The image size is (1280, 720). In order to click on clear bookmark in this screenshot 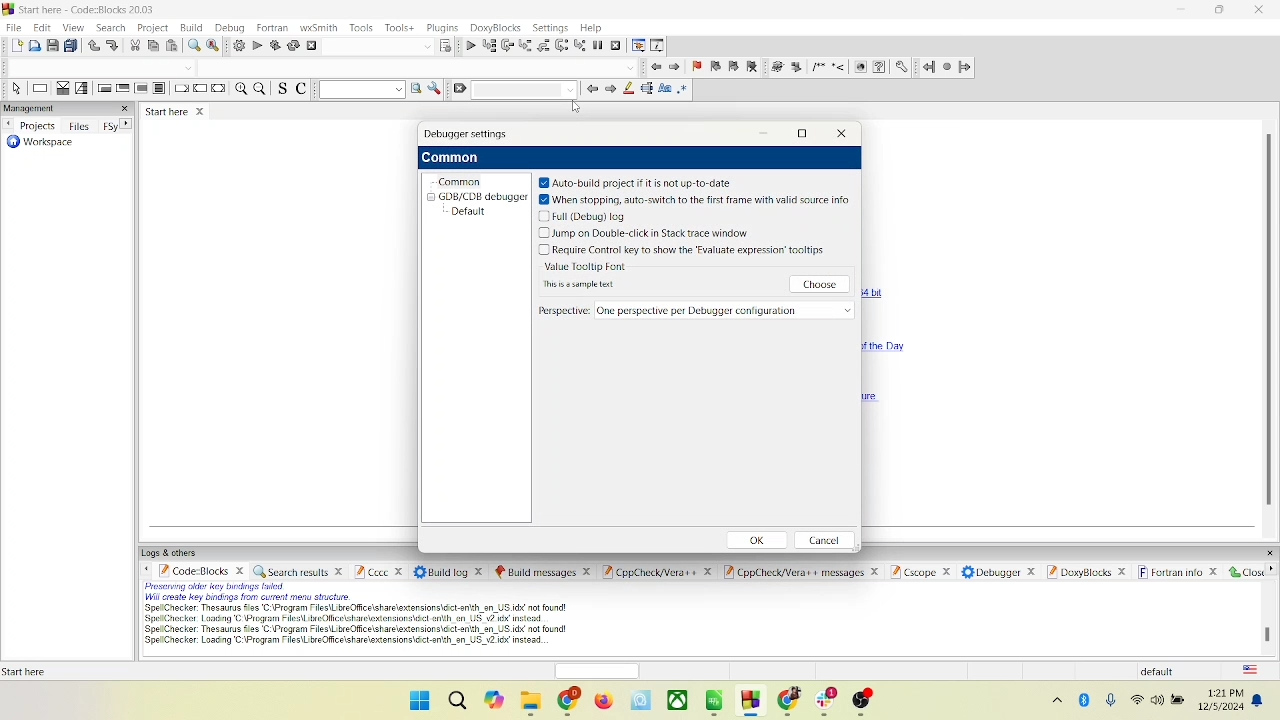, I will do `click(752, 65)`.